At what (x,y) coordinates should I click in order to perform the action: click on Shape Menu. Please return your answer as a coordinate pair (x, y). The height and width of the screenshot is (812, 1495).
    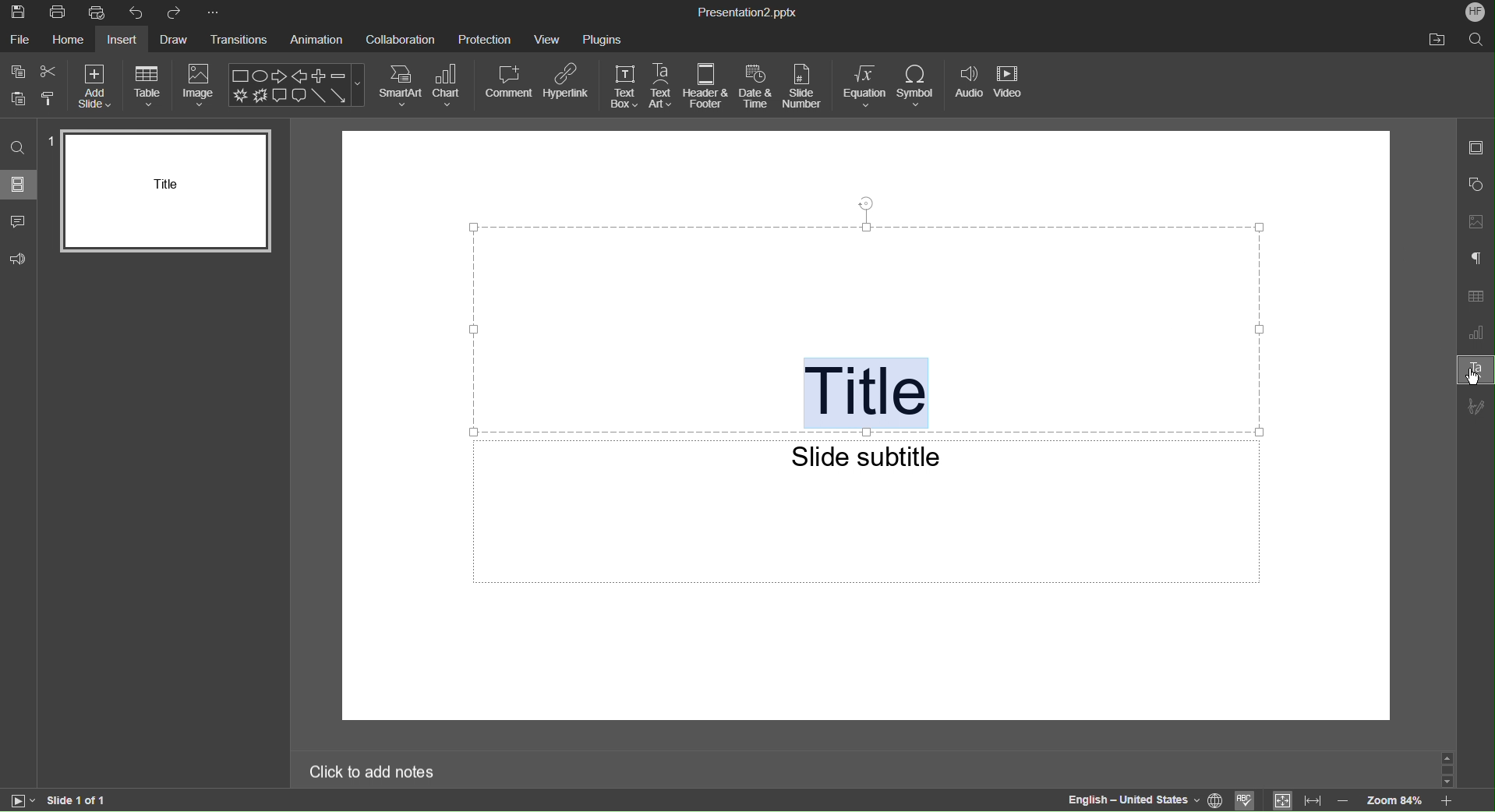
    Looking at the image, I should click on (296, 85).